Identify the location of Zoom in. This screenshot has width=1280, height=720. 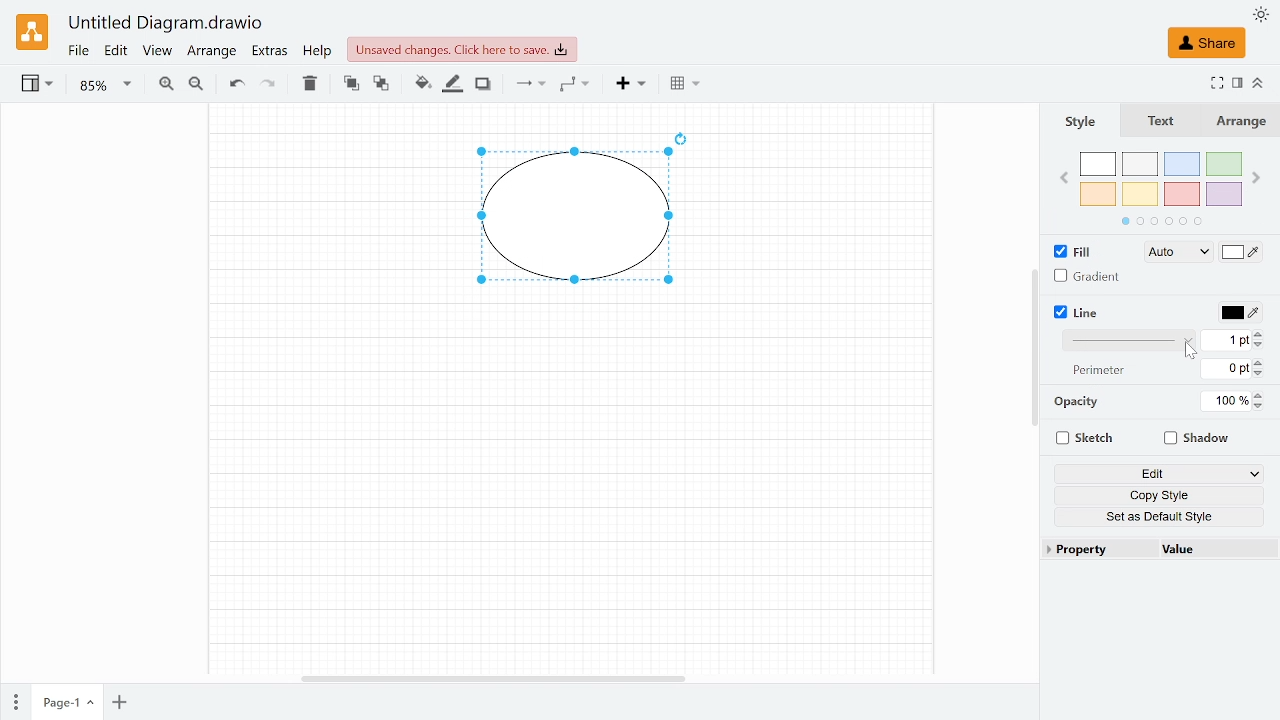
(165, 85).